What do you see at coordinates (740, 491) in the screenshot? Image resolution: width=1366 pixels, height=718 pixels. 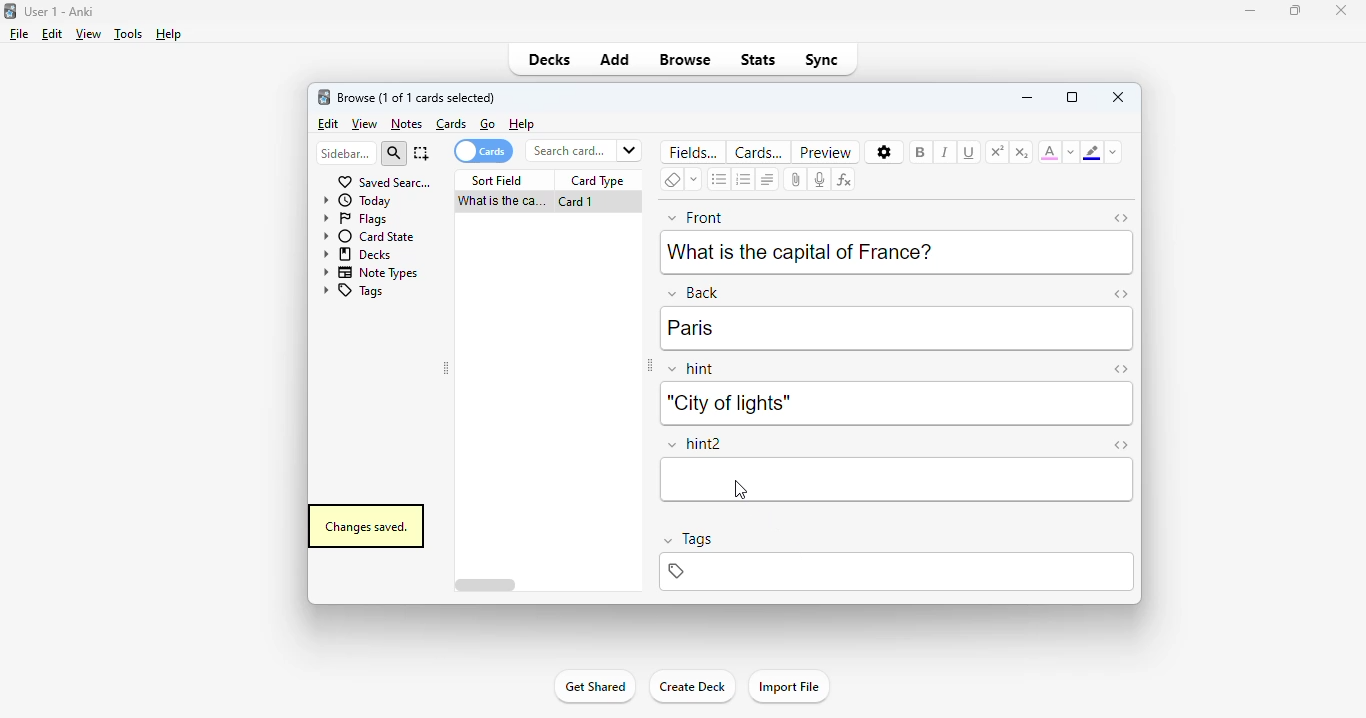 I see `cursor` at bounding box center [740, 491].